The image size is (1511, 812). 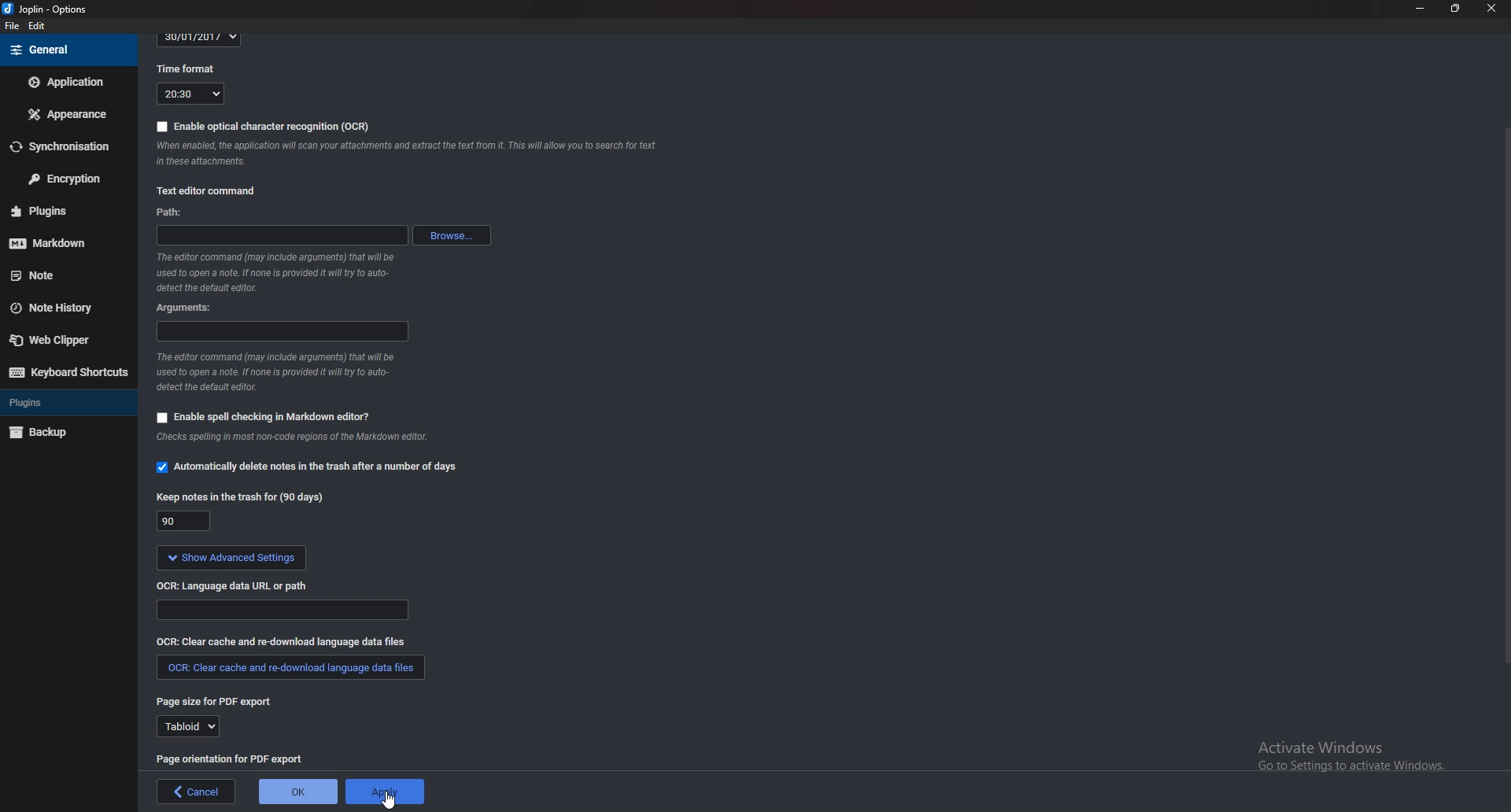 What do you see at coordinates (263, 417) in the screenshot?
I see `Enable spell checking` at bounding box center [263, 417].